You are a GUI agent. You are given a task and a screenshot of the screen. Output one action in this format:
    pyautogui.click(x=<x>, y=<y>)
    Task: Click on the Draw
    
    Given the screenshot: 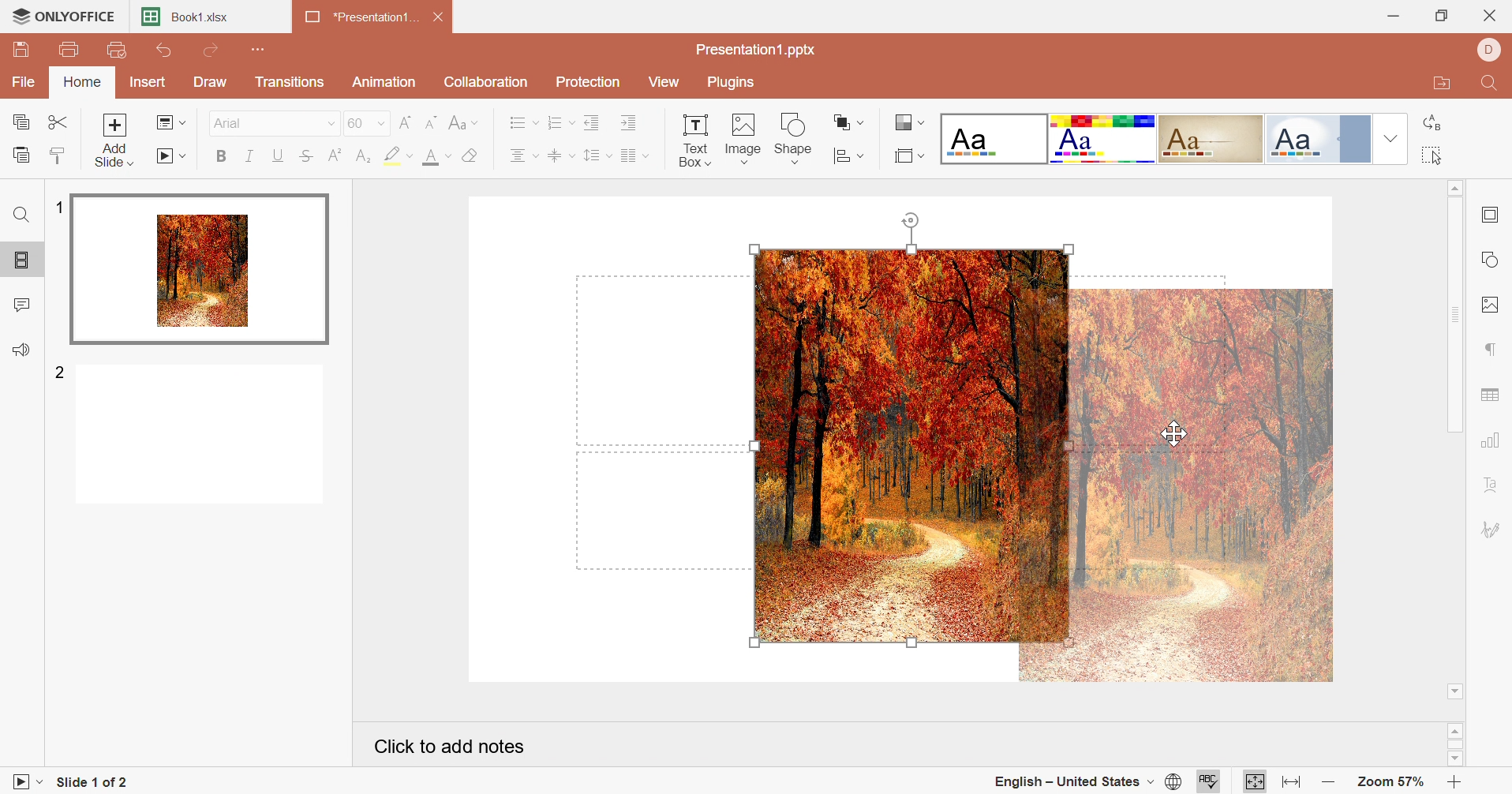 What is the action you would take?
    pyautogui.click(x=211, y=81)
    